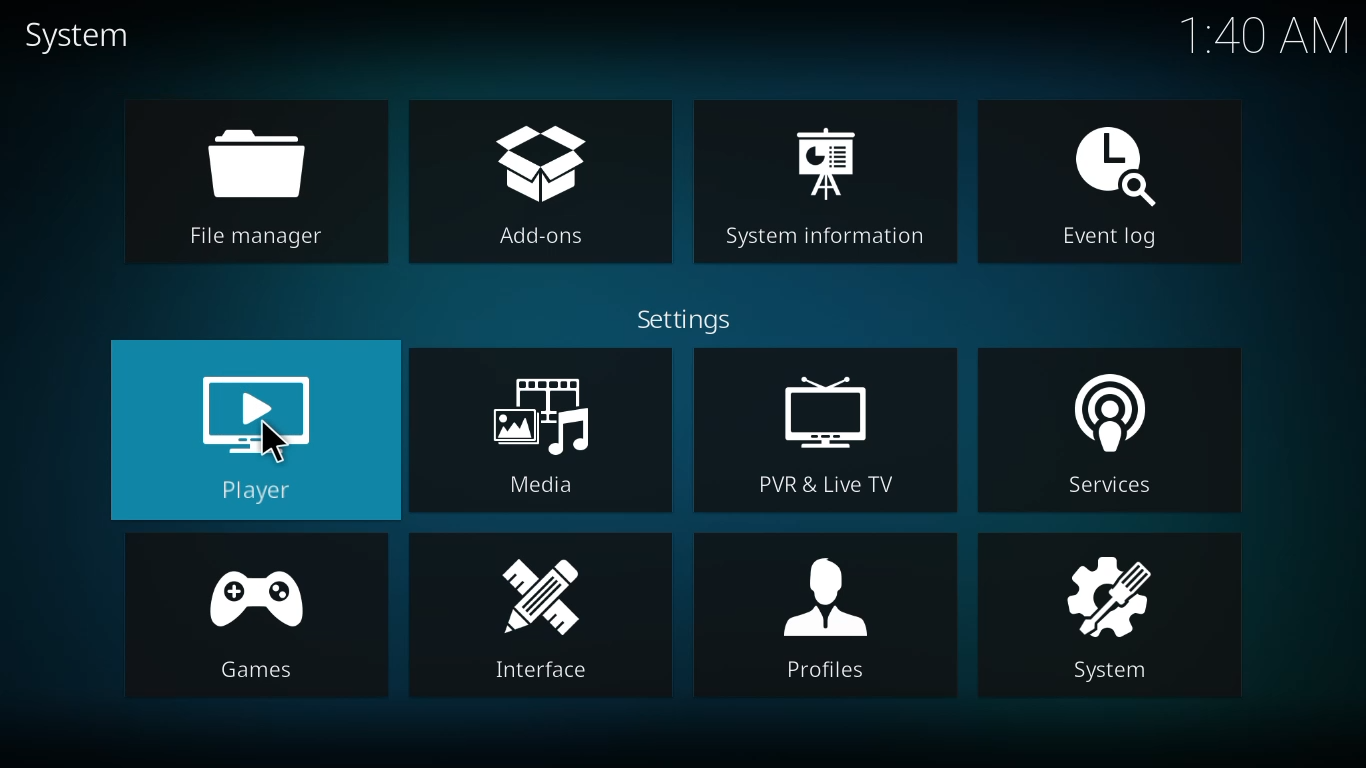 This screenshot has height=768, width=1366. I want to click on services, so click(1110, 433).